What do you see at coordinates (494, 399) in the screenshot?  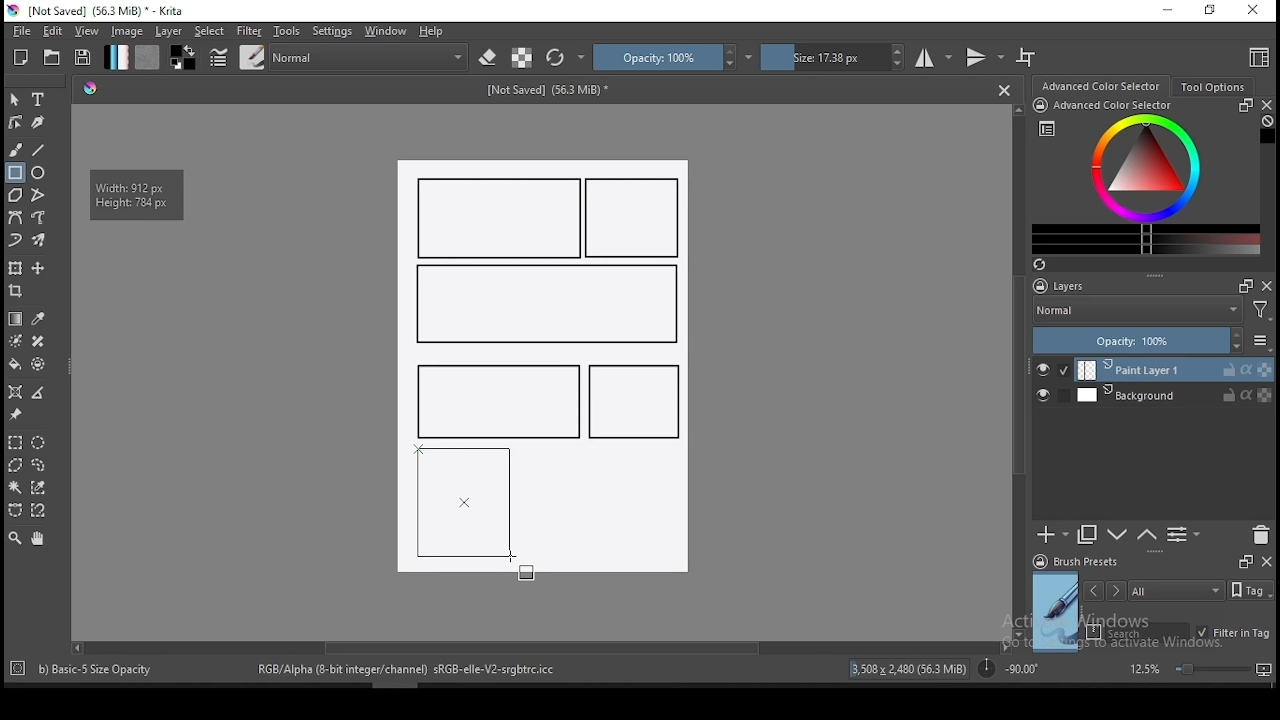 I see `new rectangle` at bounding box center [494, 399].